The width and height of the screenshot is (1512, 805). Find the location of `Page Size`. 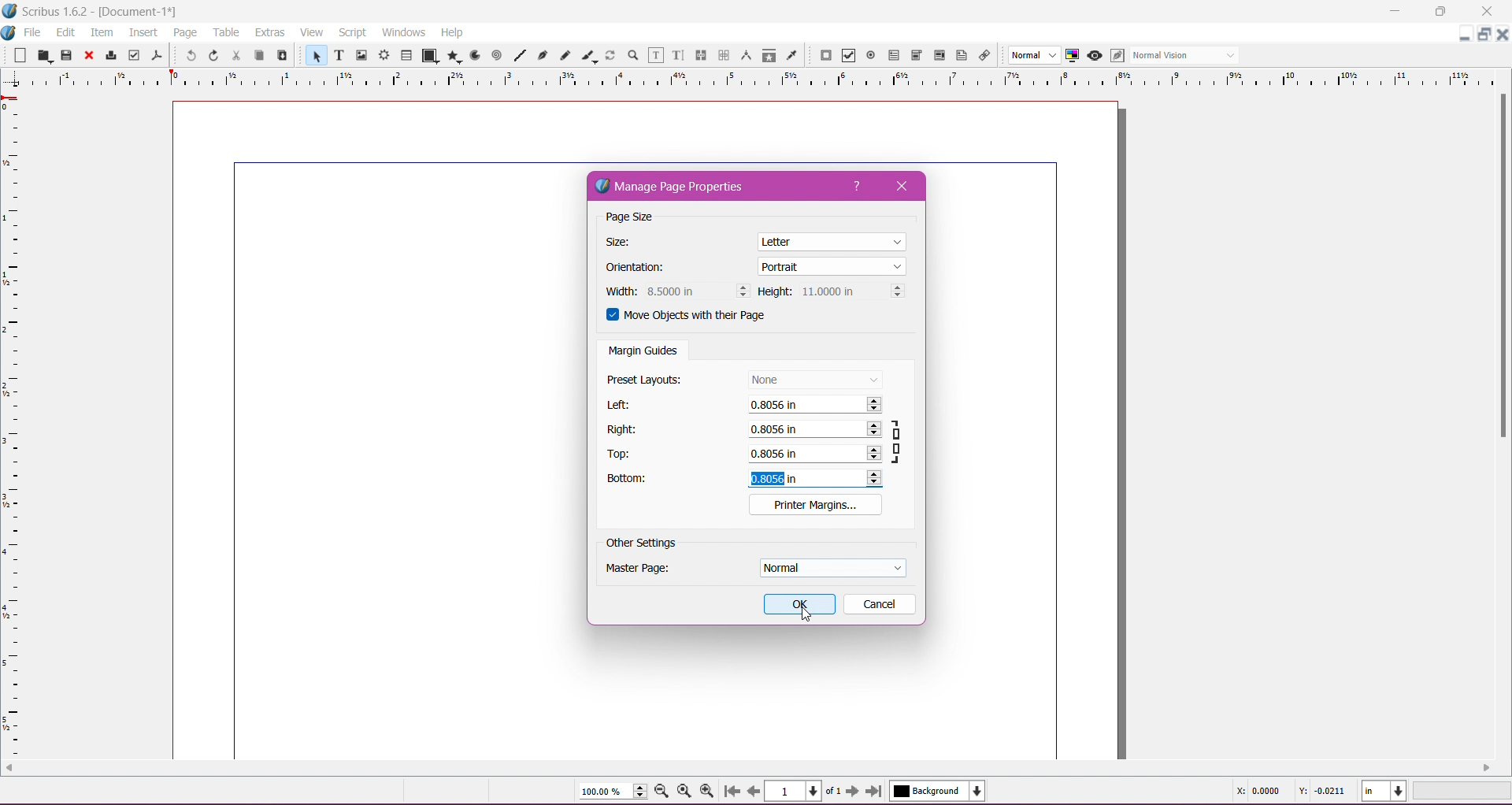

Page Size is located at coordinates (643, 218).